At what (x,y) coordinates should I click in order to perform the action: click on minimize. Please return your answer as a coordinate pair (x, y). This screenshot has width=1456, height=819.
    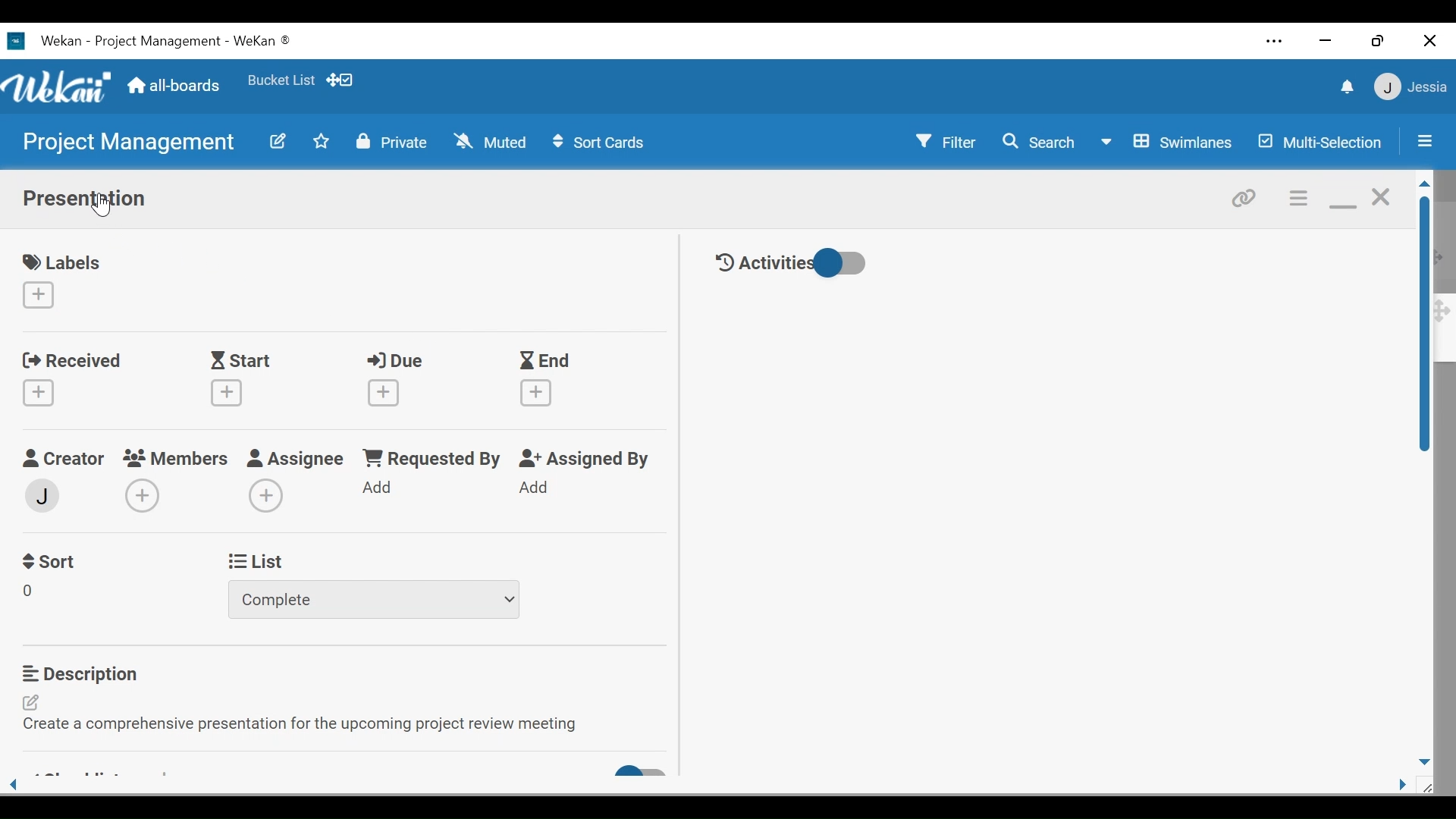
    Looking at the image, I should click on (1341, 199).